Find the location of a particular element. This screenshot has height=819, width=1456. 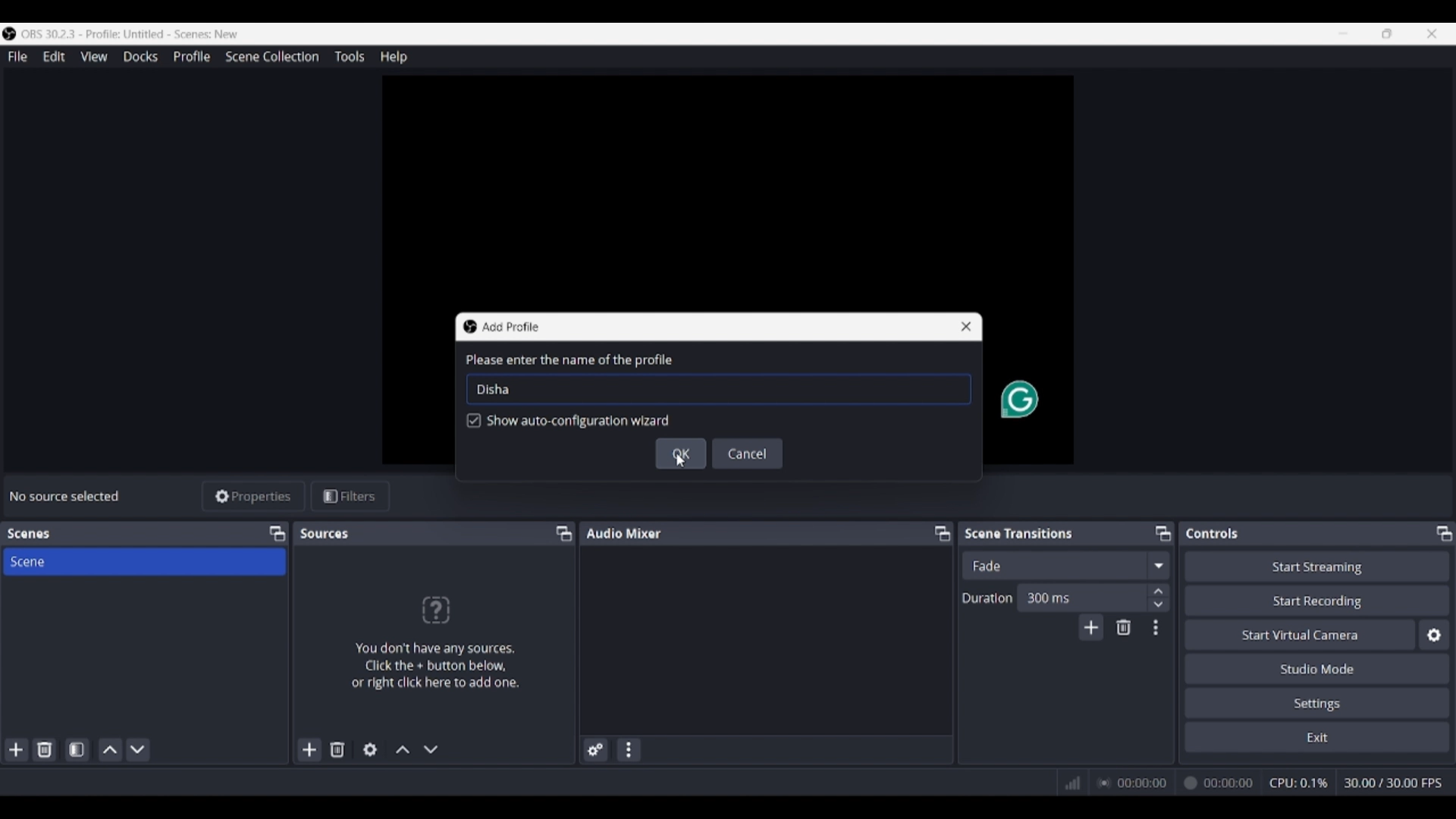

Typing in profile name is located at coordinates (477, 389).